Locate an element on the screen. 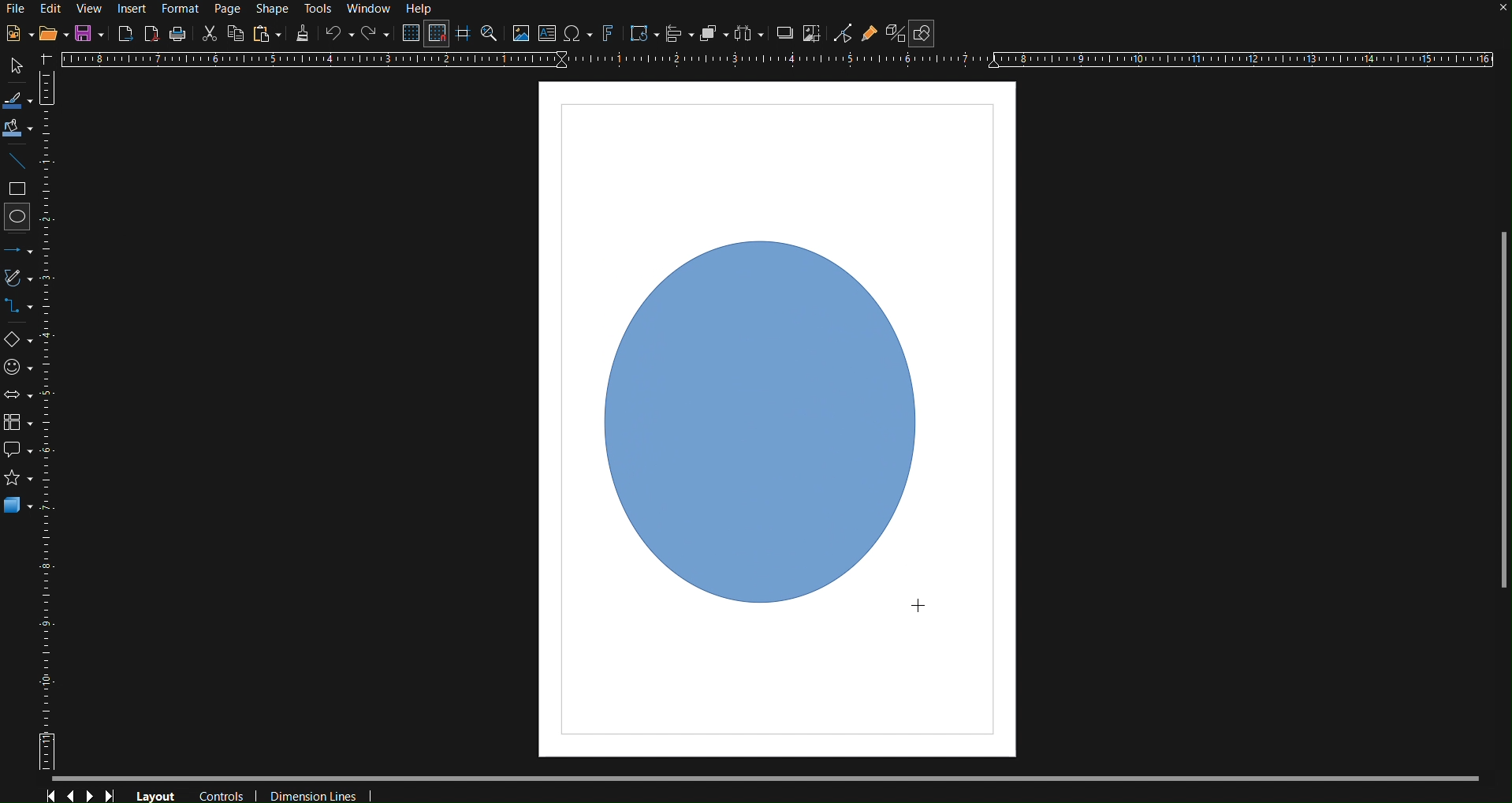  Flowchart is located at coordinates (22, 420).